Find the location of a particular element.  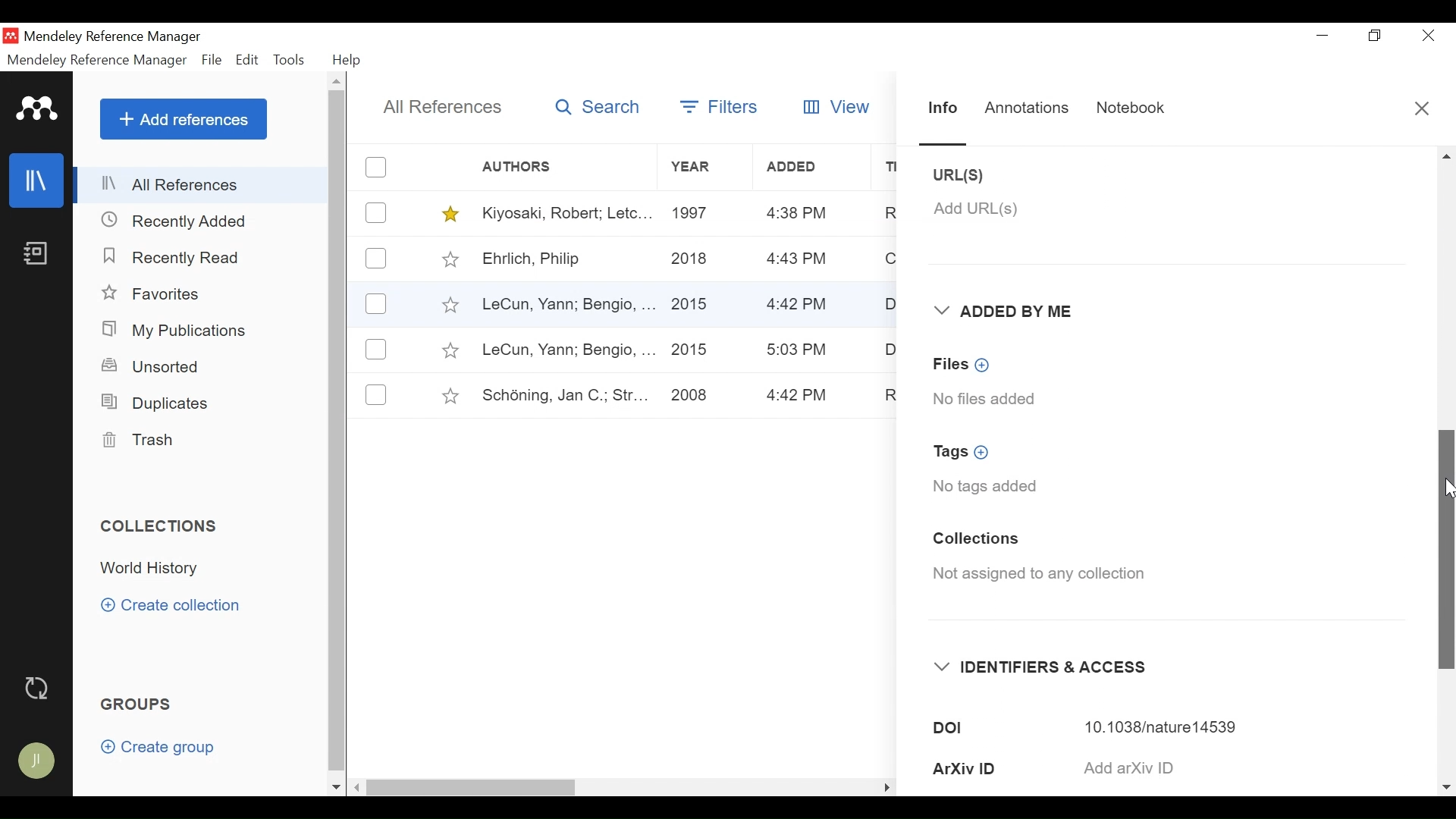

Vertical Scroll bar is located at coordinates (340, 434).